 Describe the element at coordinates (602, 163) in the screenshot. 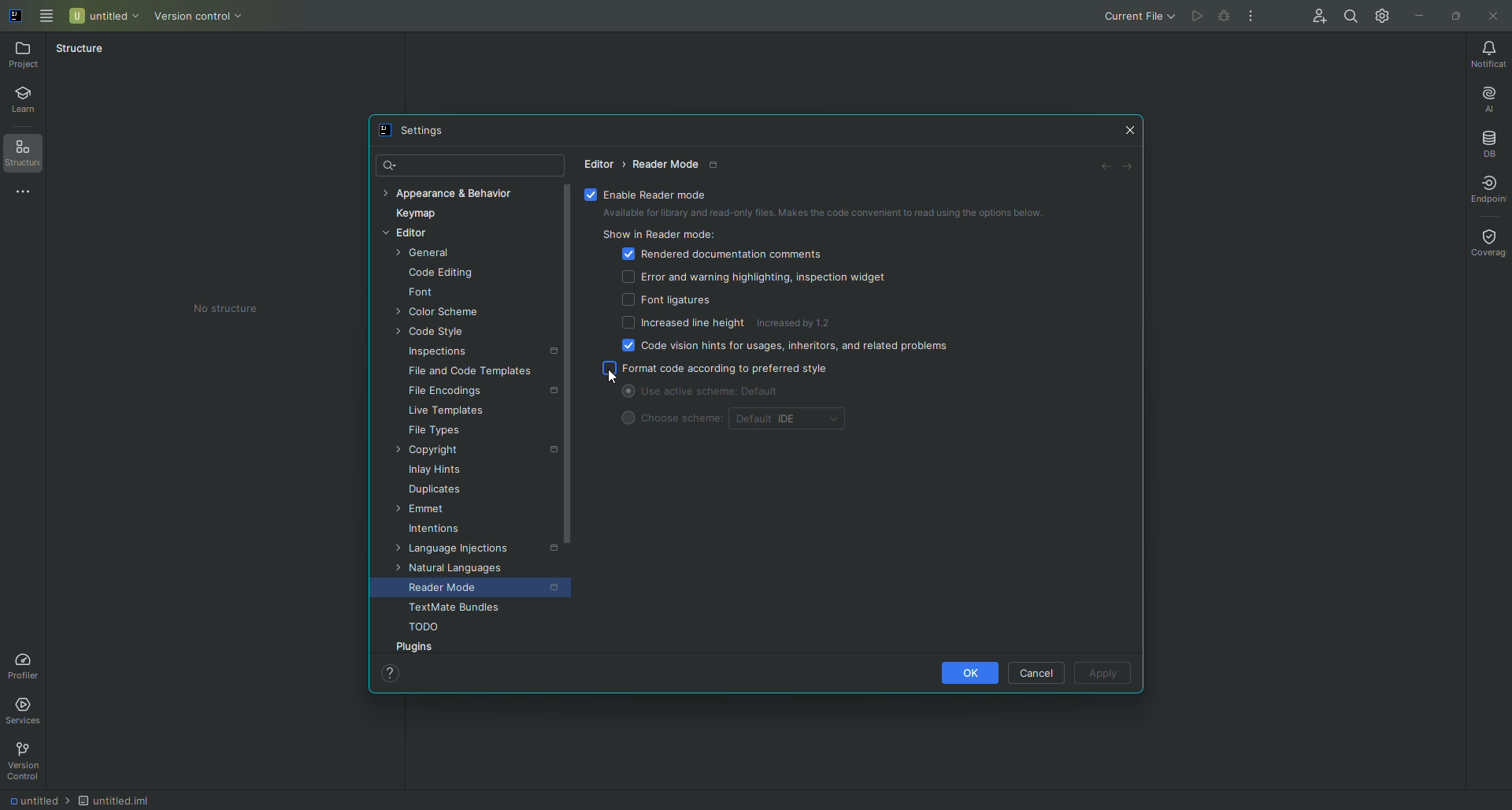

I see `Editor` at that location.